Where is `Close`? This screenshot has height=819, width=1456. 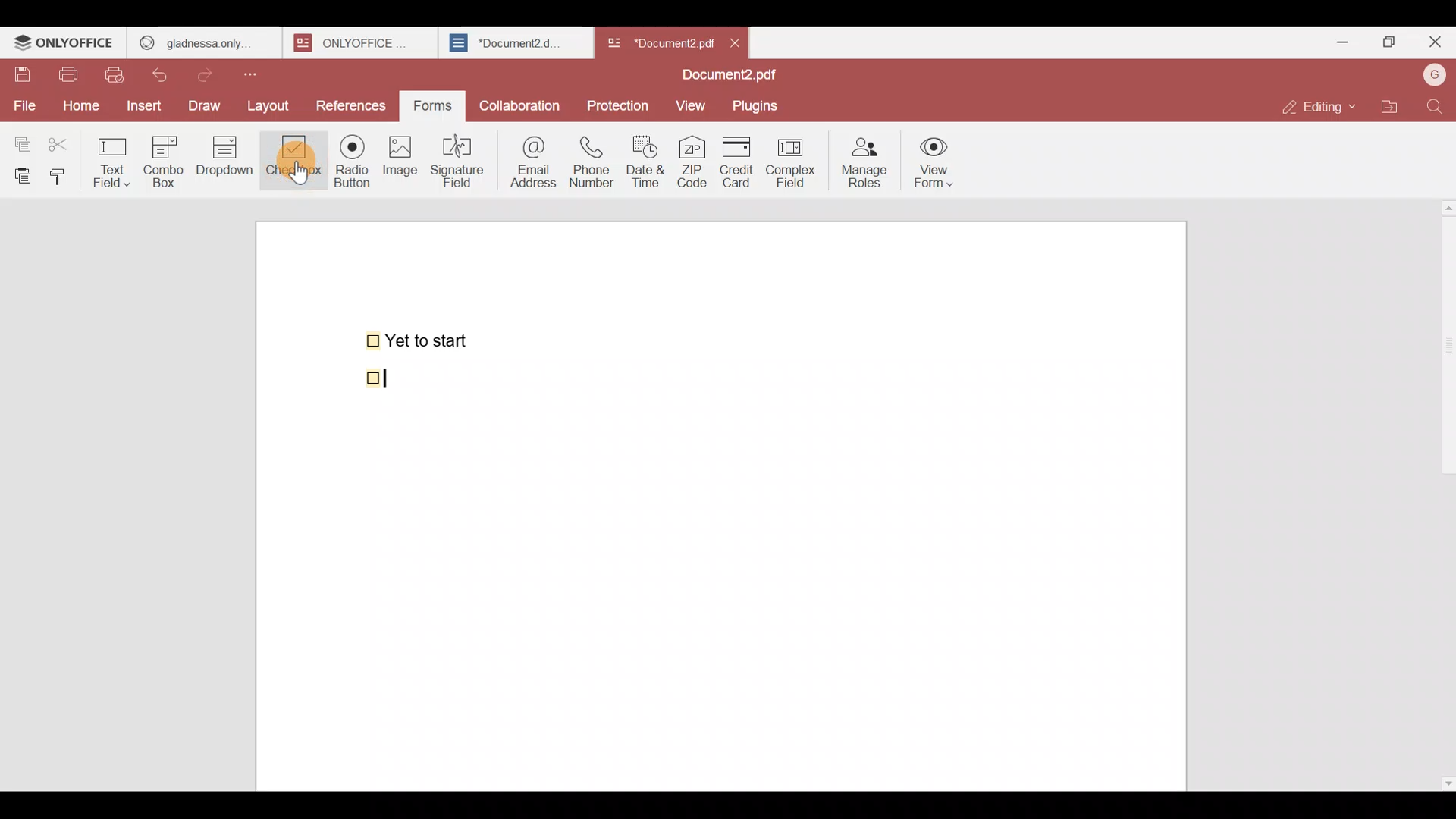 Close is located at coordinates (1434, 45).